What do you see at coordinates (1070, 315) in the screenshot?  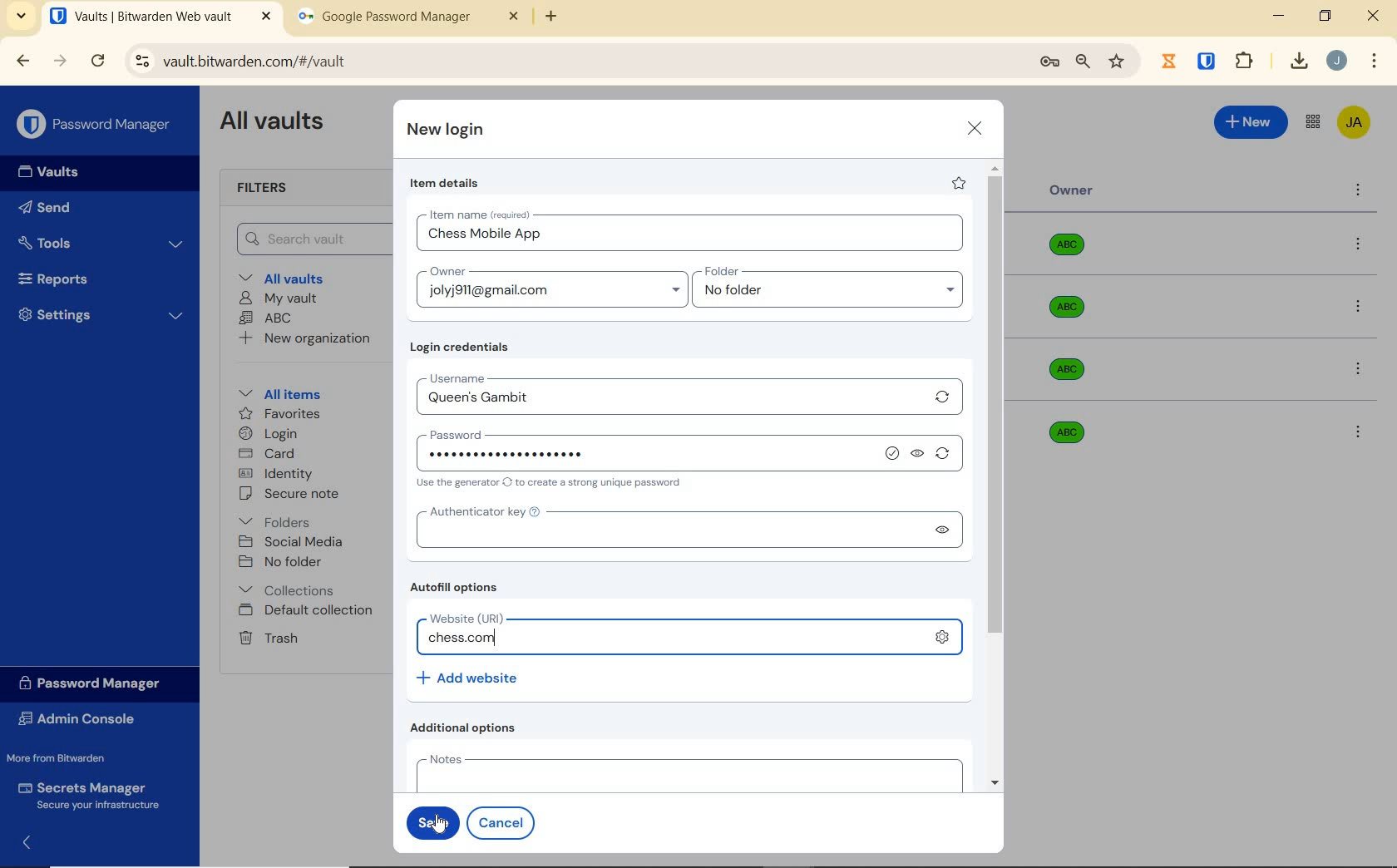 I see `Owner organization` at bounding box center [1070, 315].